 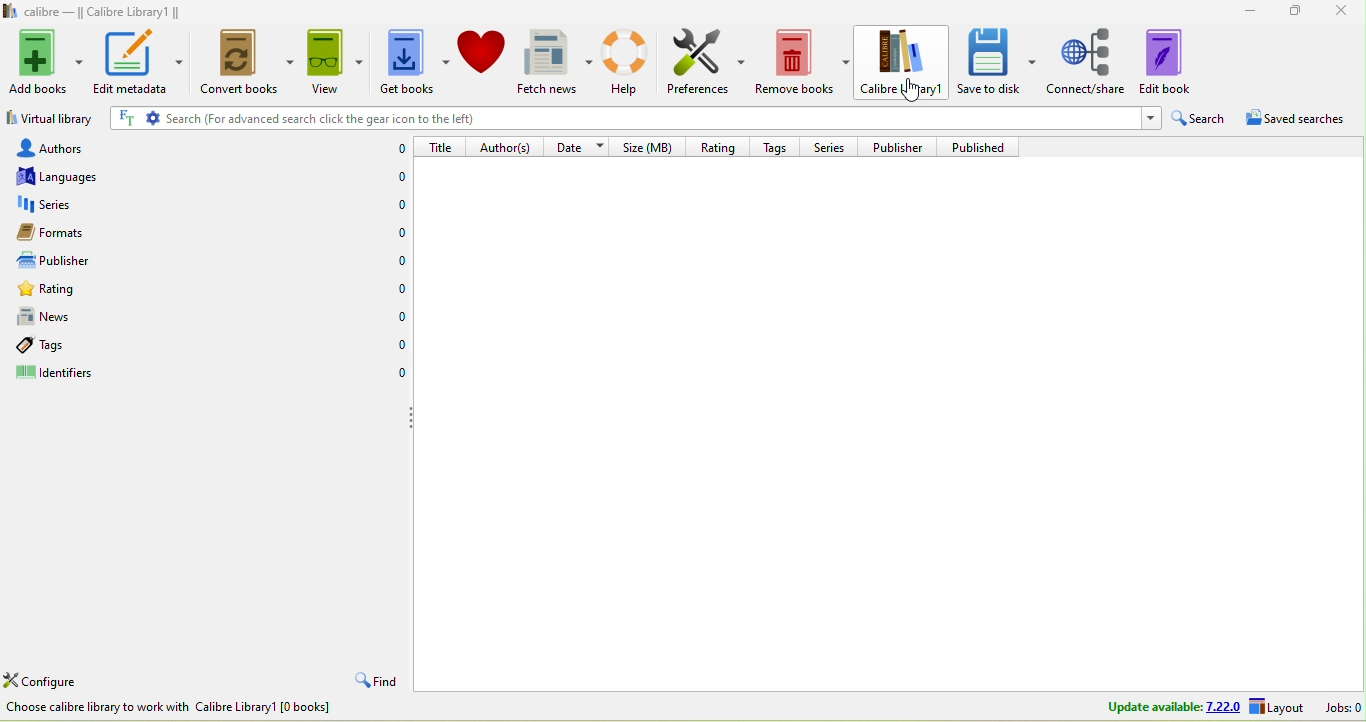 I want to click on maximize, so click(x=1290, y=10).